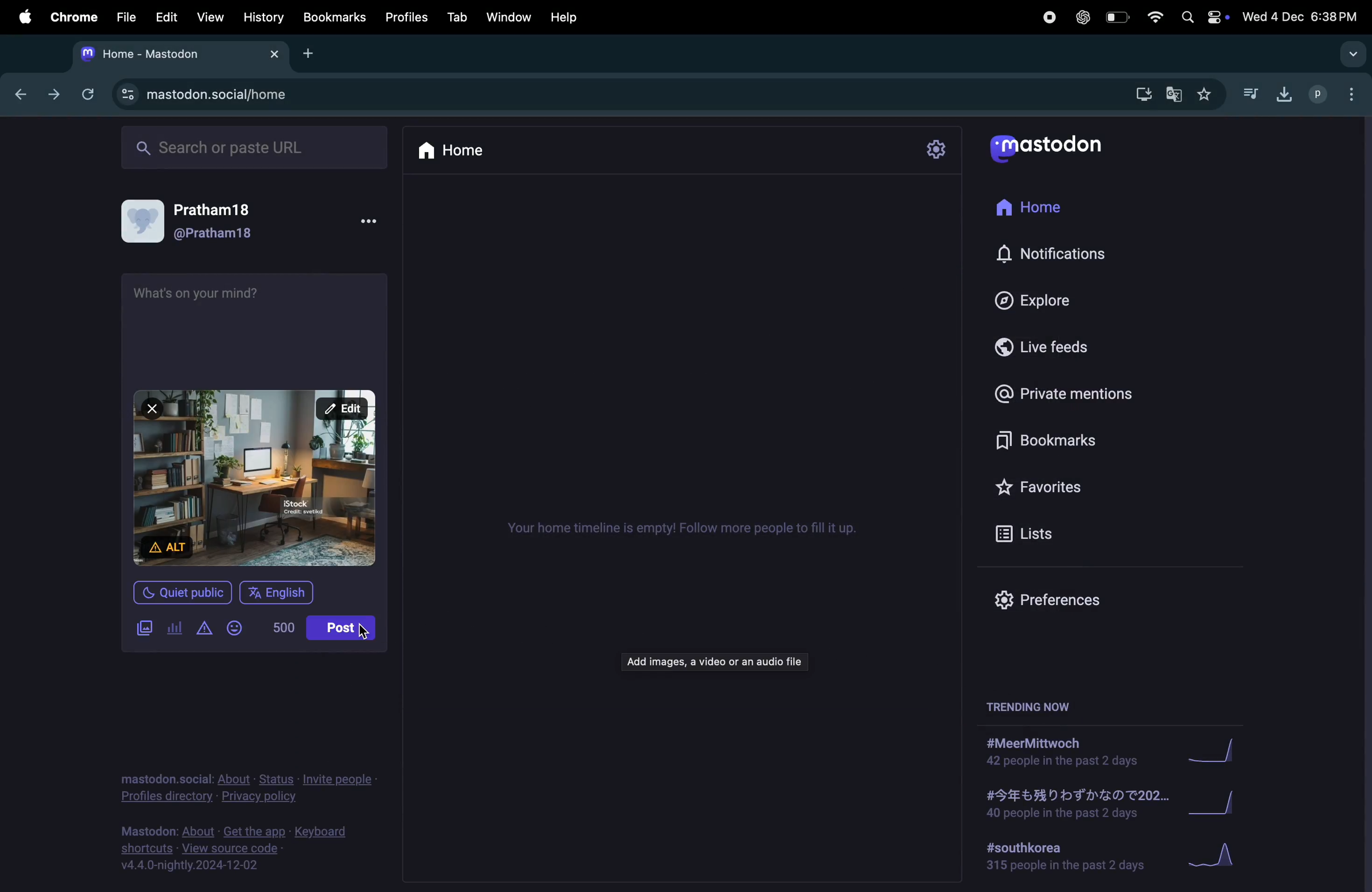  What do you see at coordinates (352, 628) in the screenshot?
I see `Post` at bounding box center [352, 628].